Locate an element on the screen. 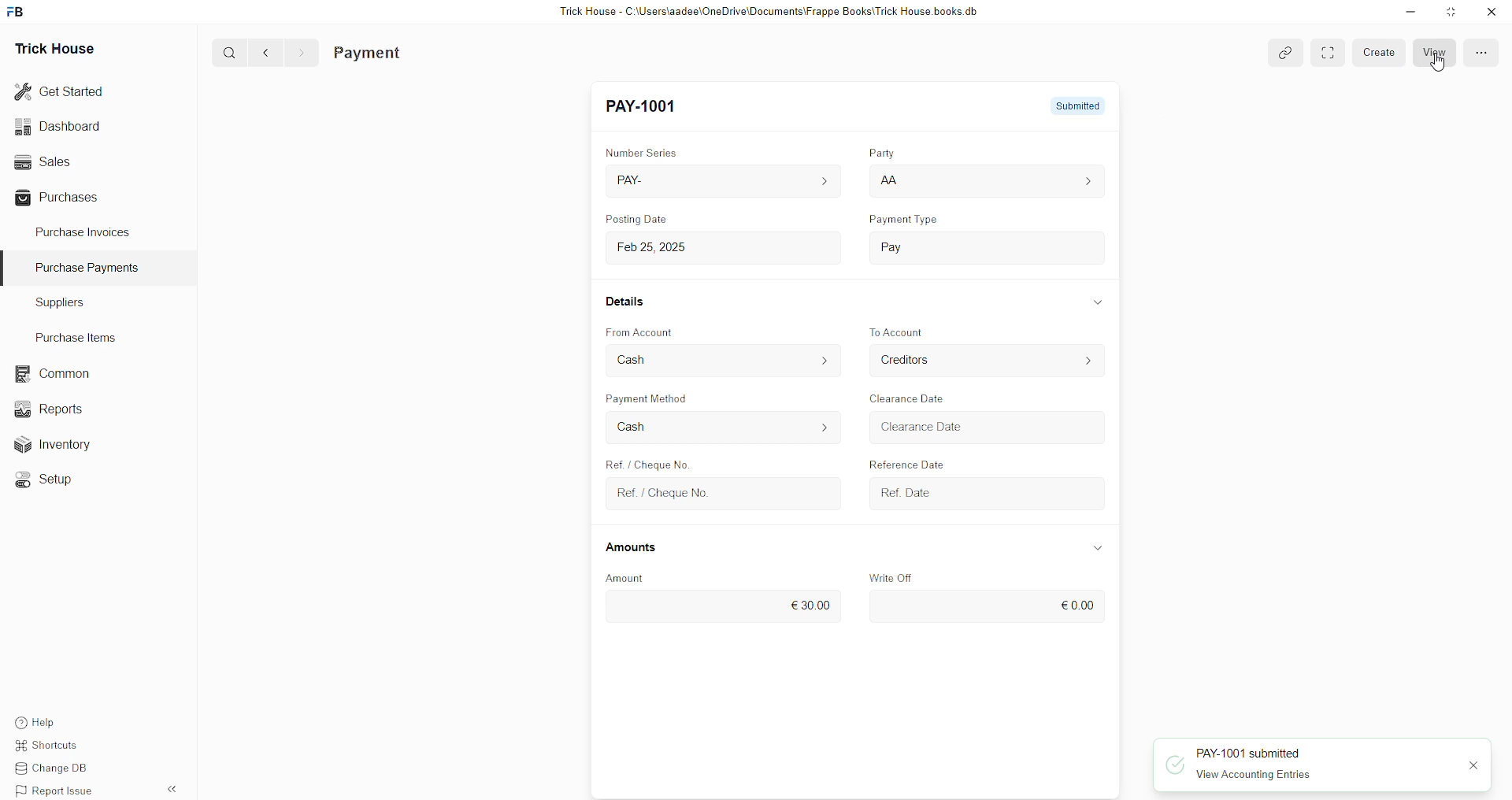 The width and height of the screenshot is (1512, 800). Feb 25,2025 is located at coordinates (668, 247).